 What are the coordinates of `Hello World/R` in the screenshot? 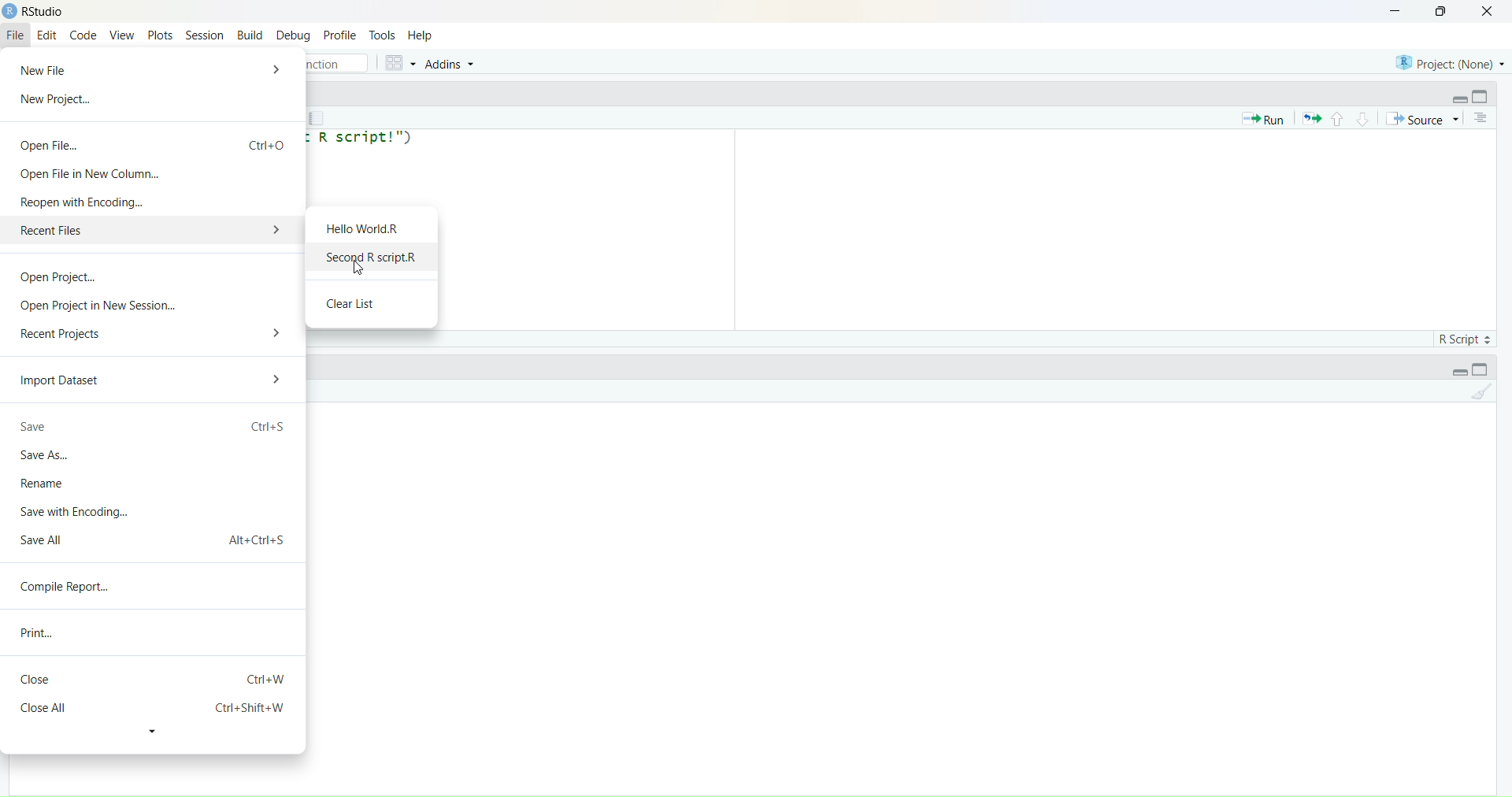 It's located at (371, 227).